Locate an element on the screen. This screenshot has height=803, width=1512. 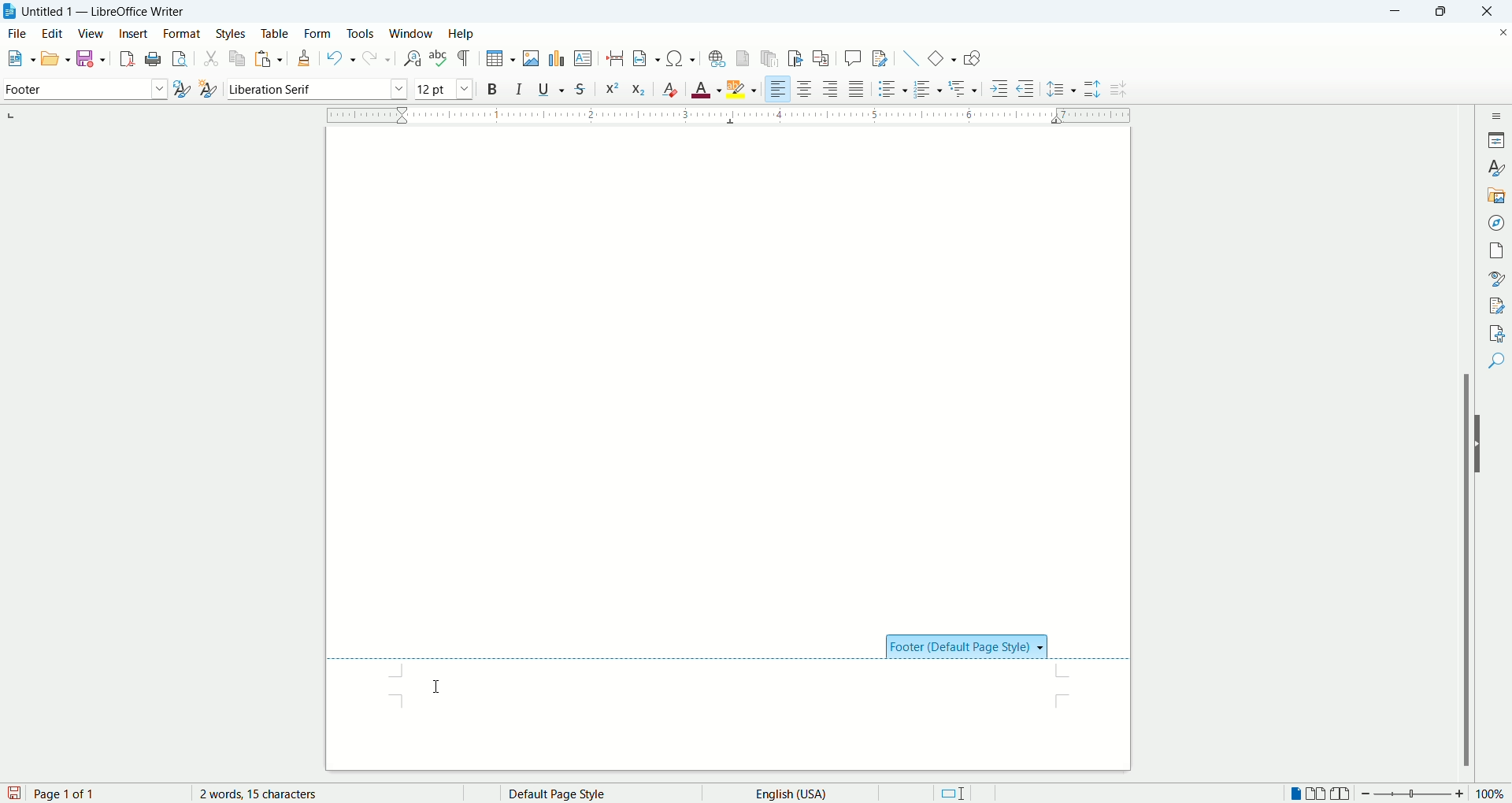
main page is located at coordinates (730, 372).